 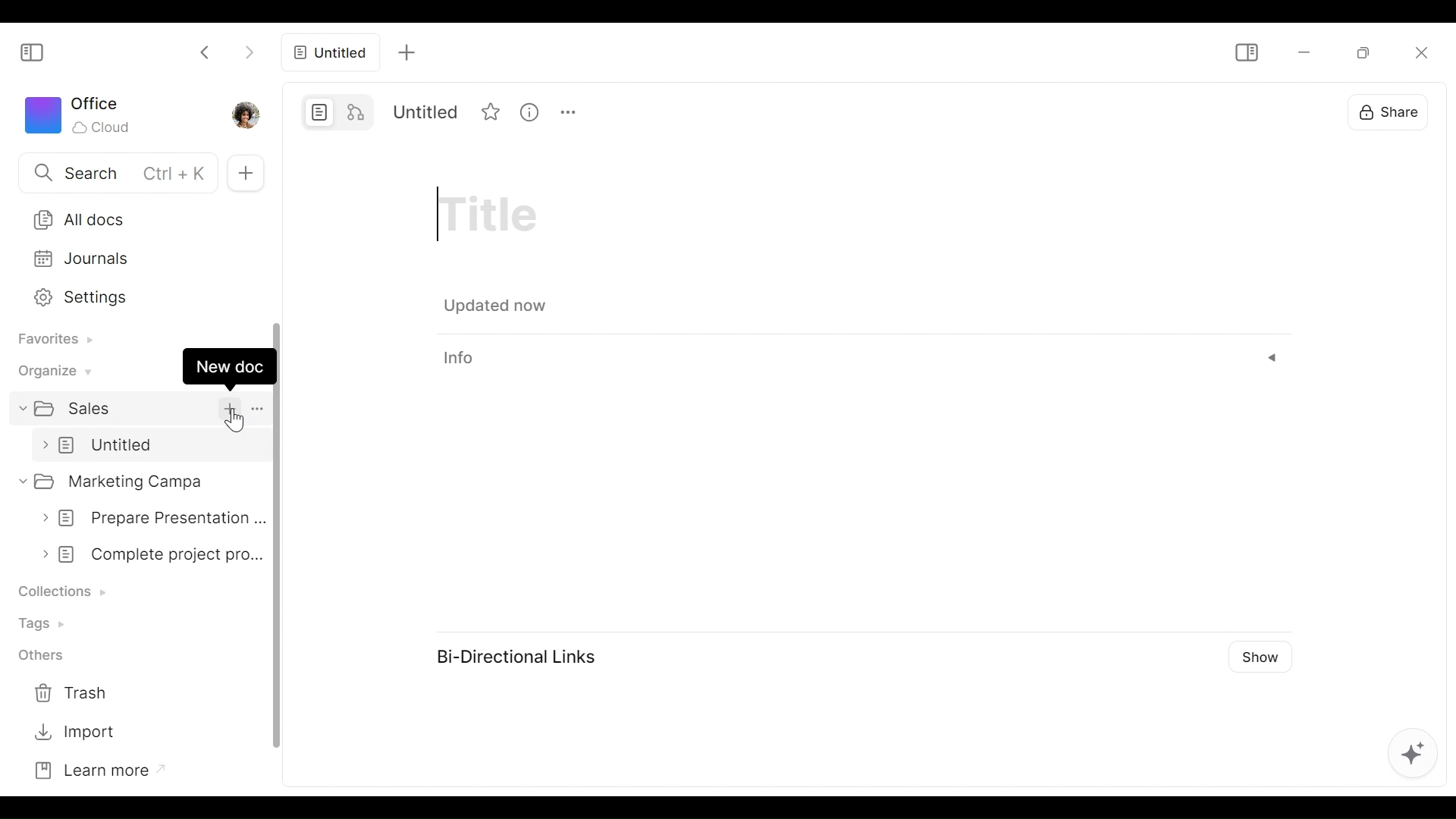 What do you see at coordinates (532, 111) in the screenshot?
I see `View Information` at bounding box center [532, 111].